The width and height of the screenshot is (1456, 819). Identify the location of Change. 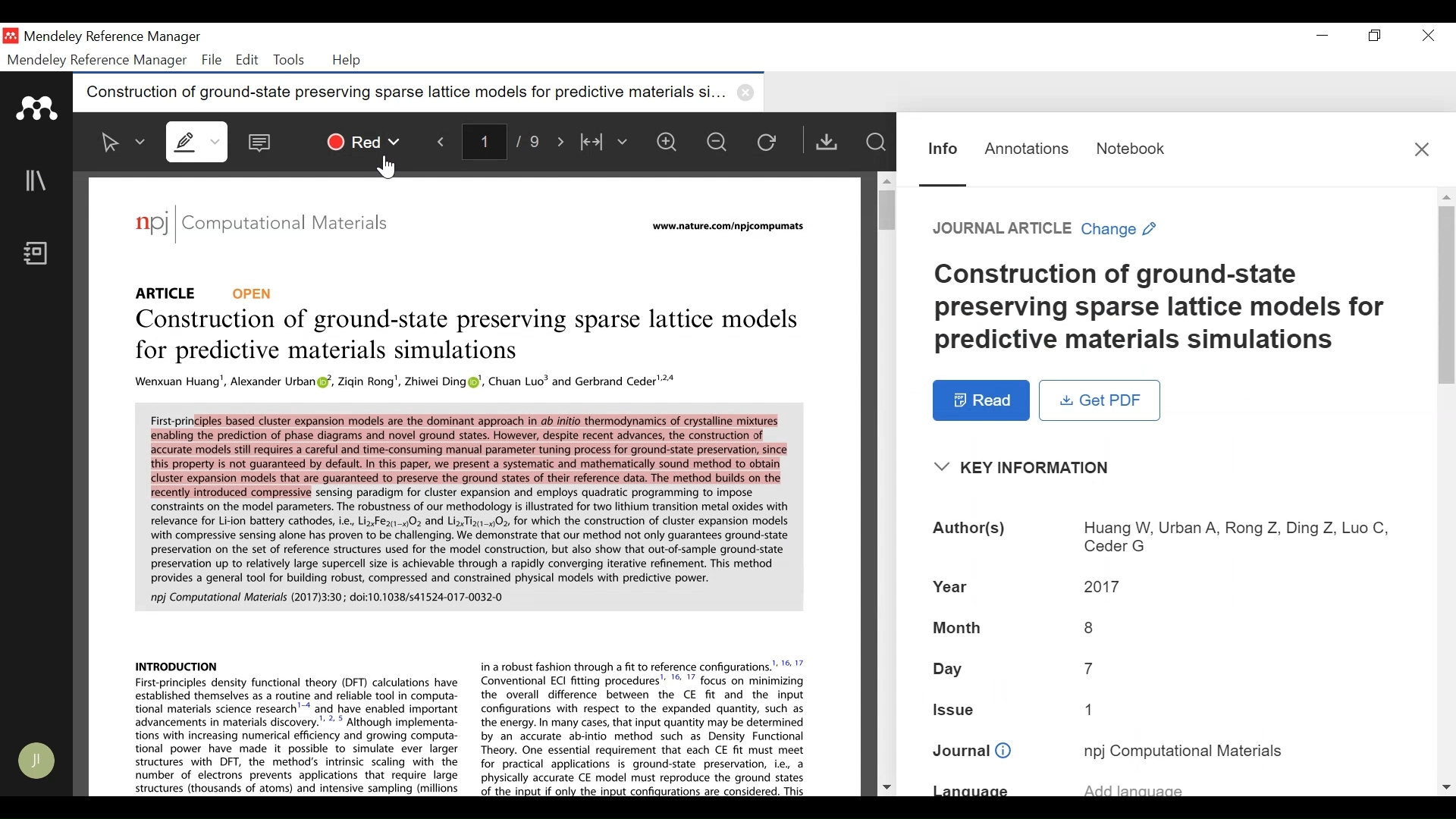
(1122, 229).